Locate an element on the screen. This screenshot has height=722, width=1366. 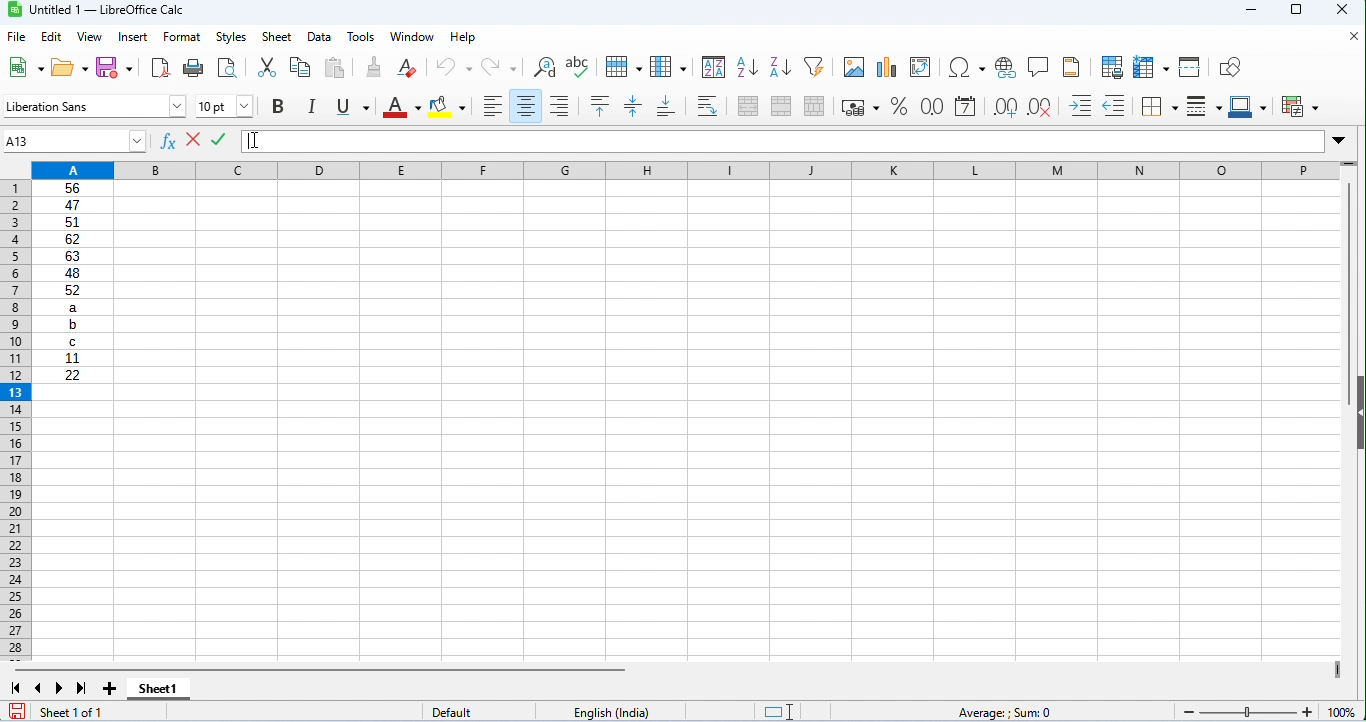
Software logo is located at coordinates (16, 10).